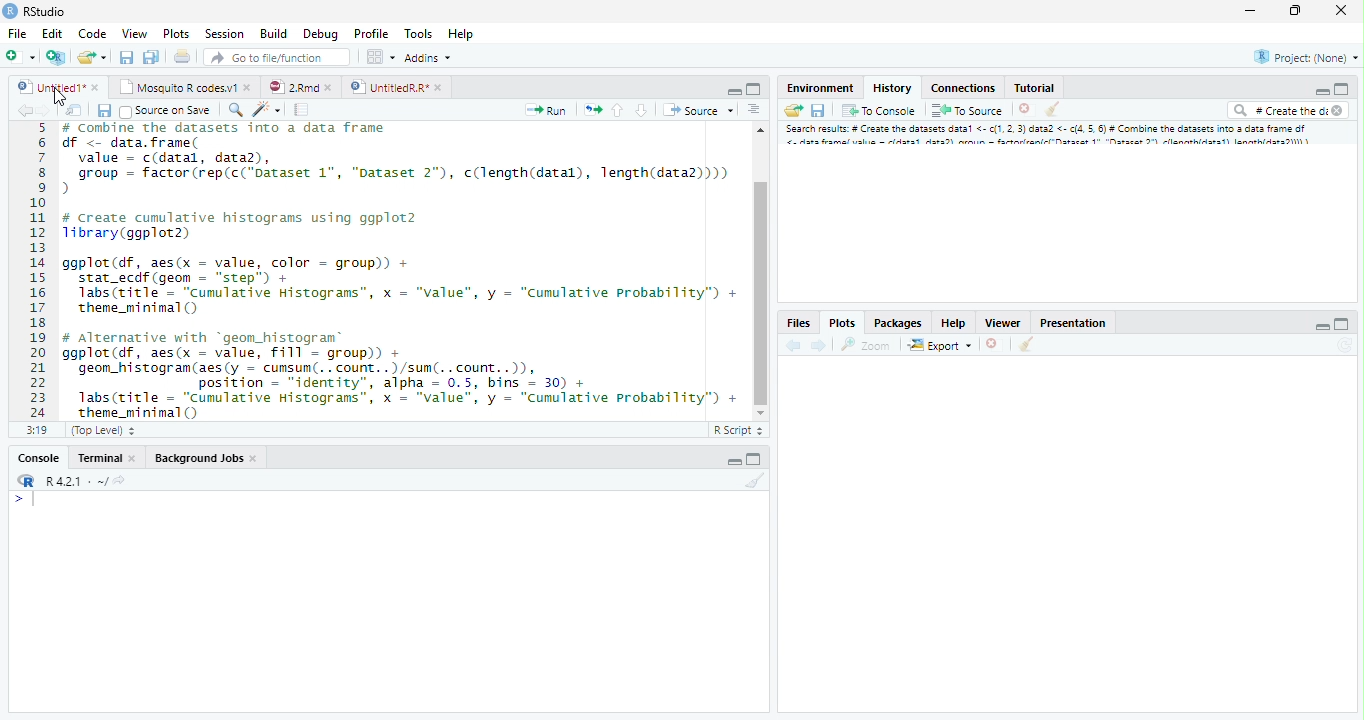 The image size is (1364, 720). What do you see at coordinates (185, 57) in the screenshot?
I see `Print` at bounding box center [185, 57].